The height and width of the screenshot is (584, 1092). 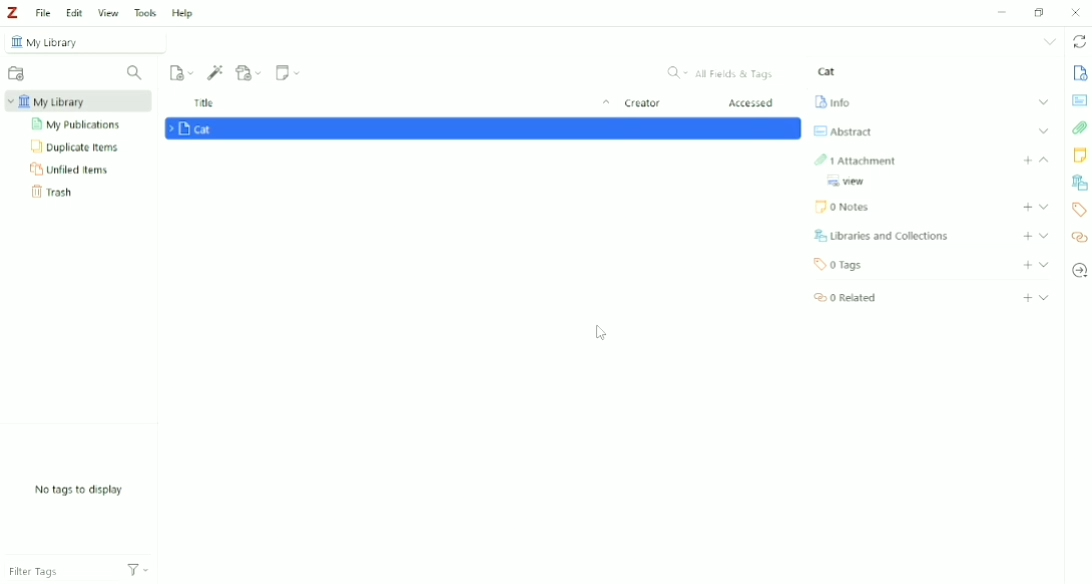 I want to click on Logo, so click(x=12, y=12).